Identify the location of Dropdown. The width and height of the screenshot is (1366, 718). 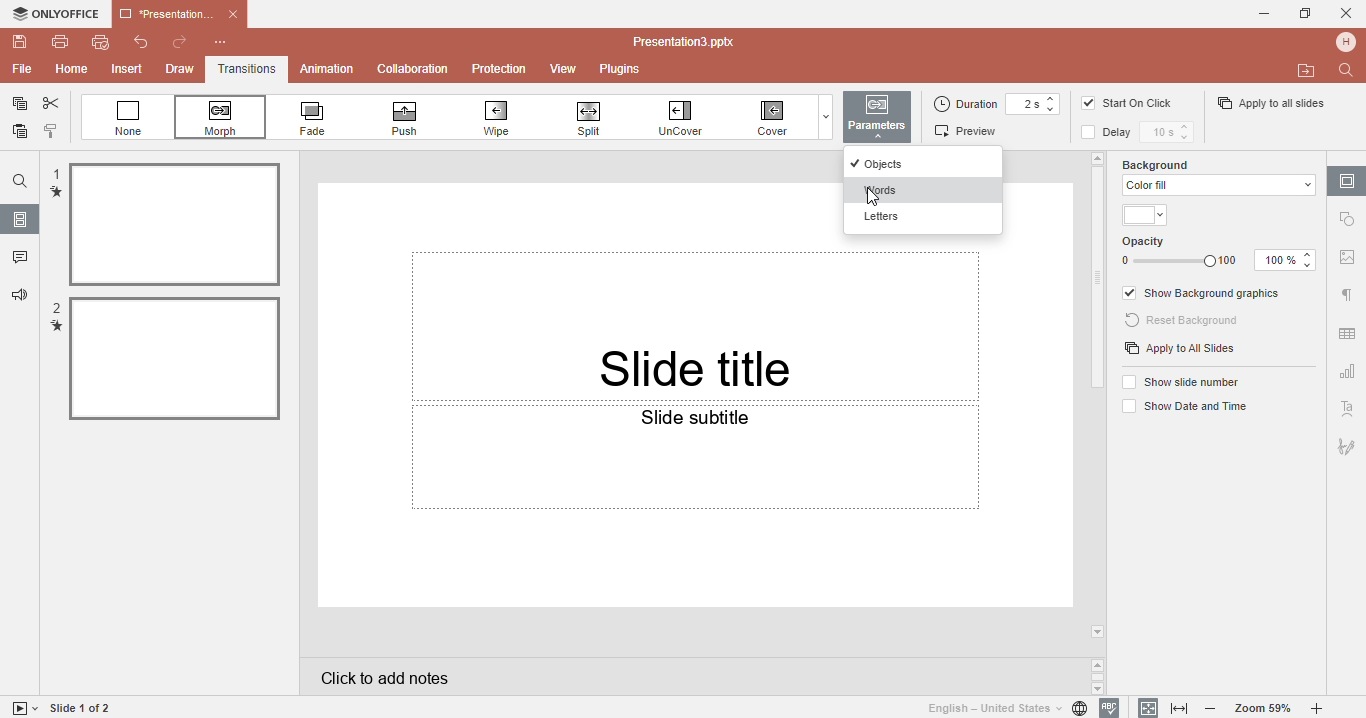
(823, 117).